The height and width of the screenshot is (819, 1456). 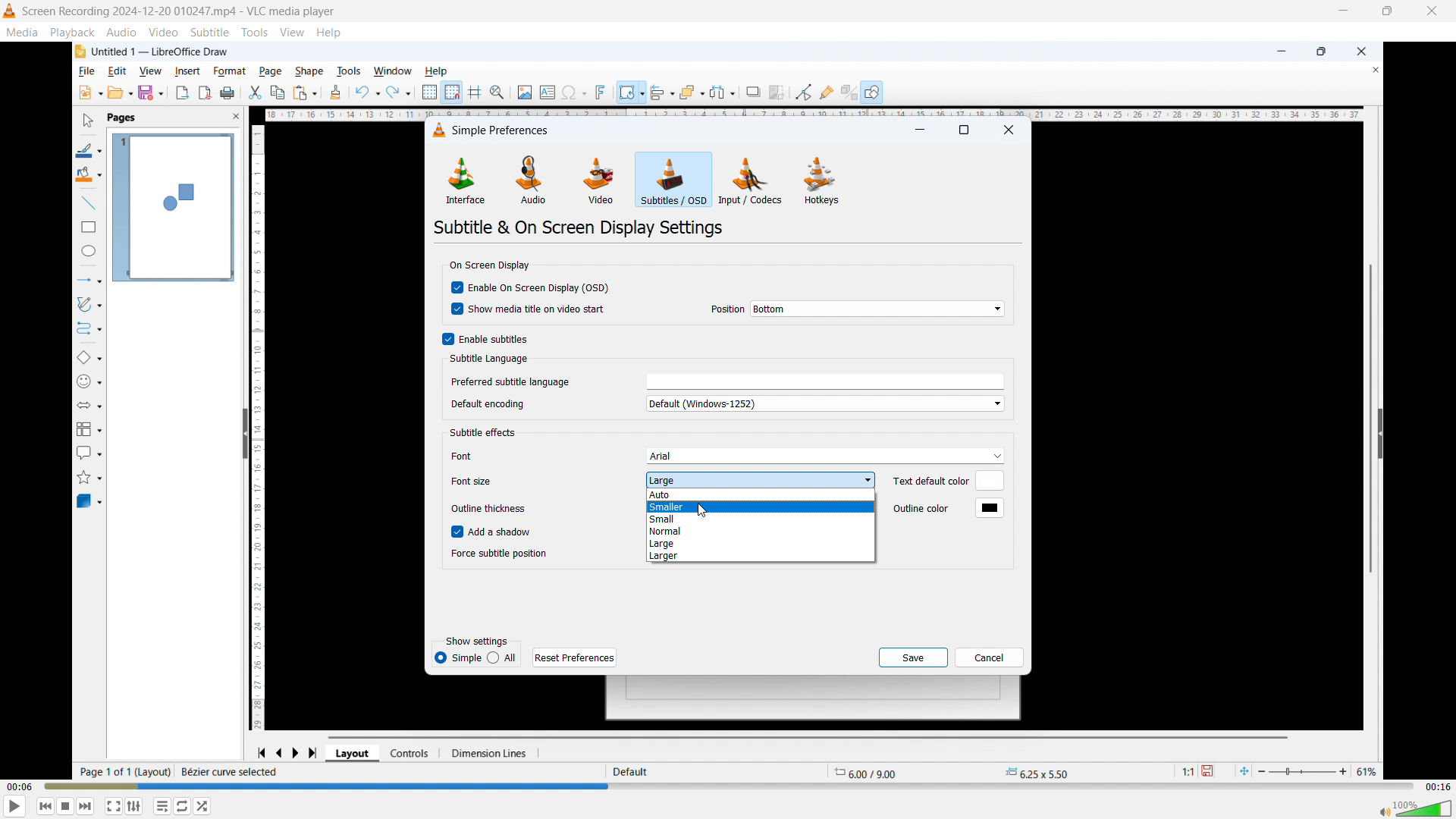 What do you see at coordinates (462, 457) in the screenshot?
I see `Font` at bounding box center [462, 457].